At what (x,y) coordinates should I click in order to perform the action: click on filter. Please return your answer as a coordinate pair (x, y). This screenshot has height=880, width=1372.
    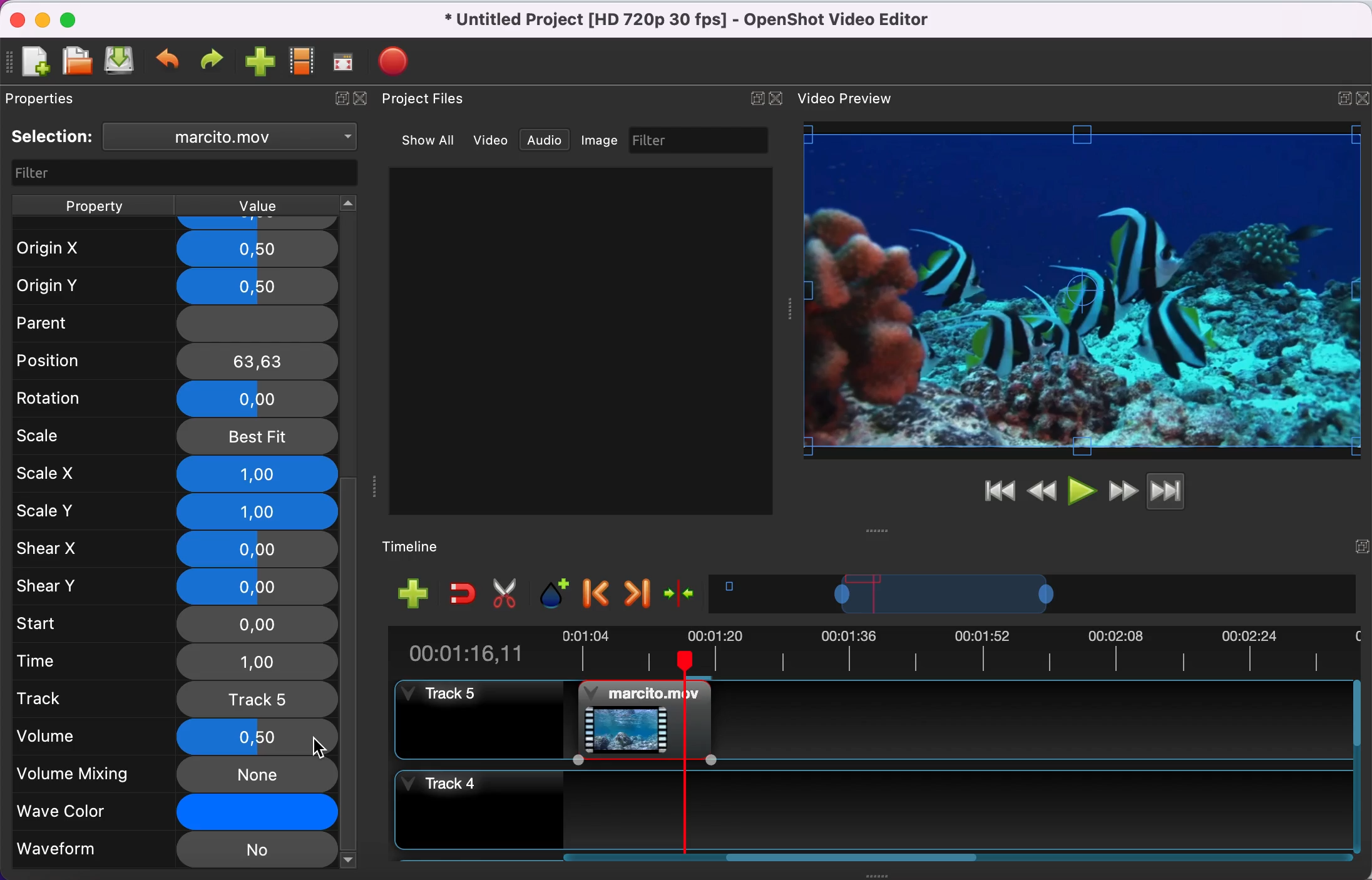
    Looking at the image, I should click on (179, 172).